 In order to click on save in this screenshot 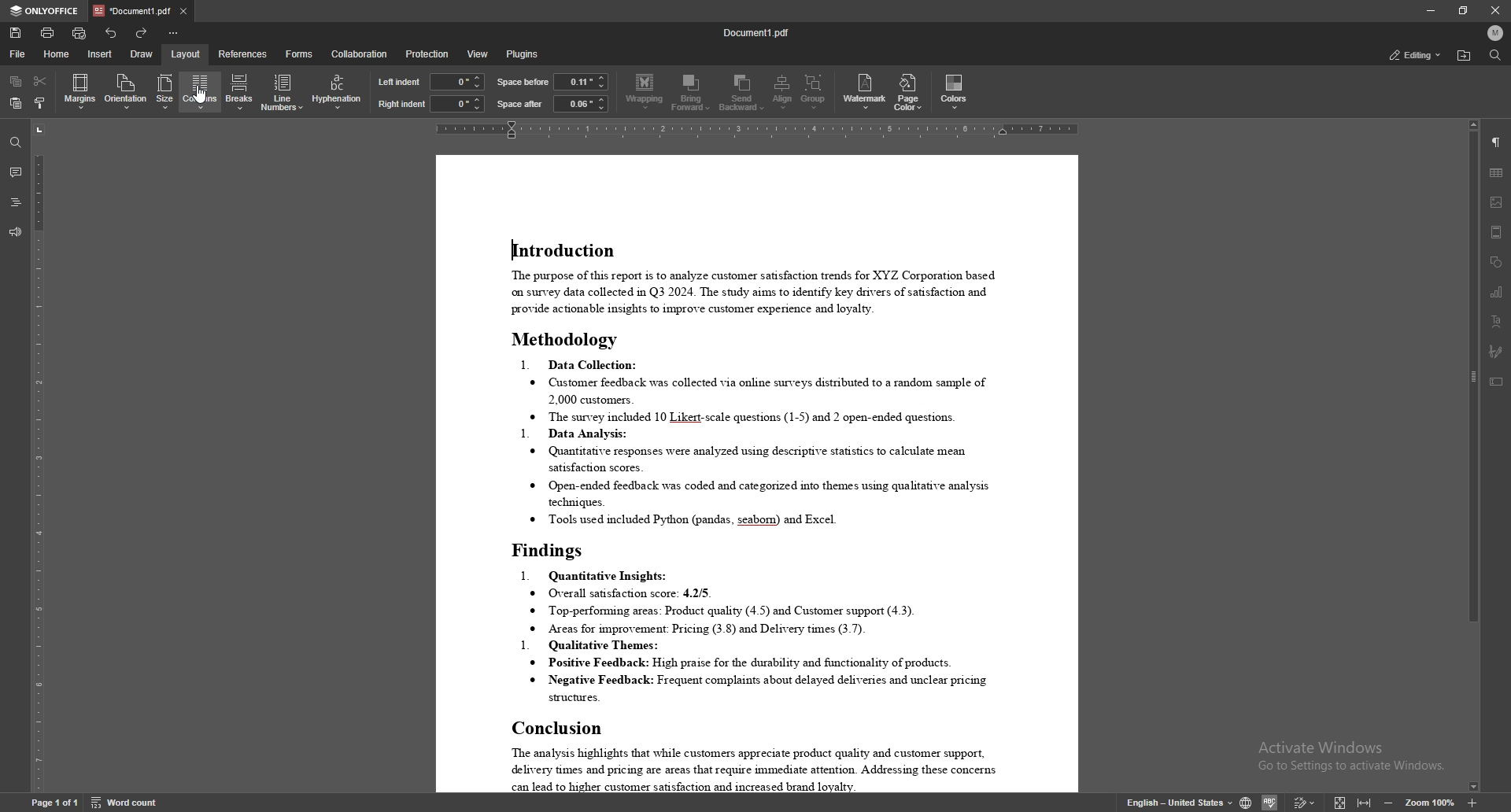, I will do `click(15, 33)`.